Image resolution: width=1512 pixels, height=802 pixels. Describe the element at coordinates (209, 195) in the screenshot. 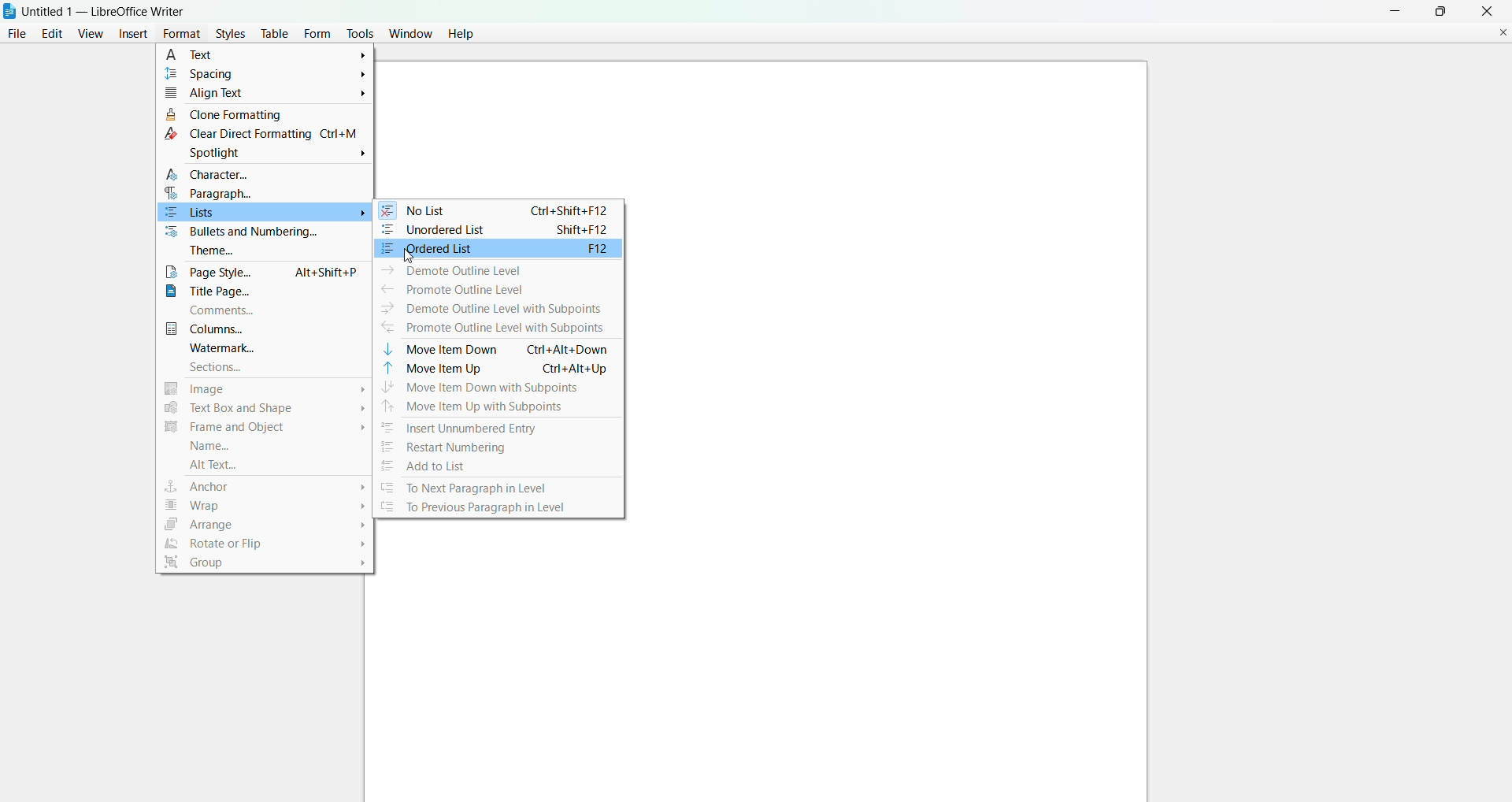

I see `paragraph` at that location.